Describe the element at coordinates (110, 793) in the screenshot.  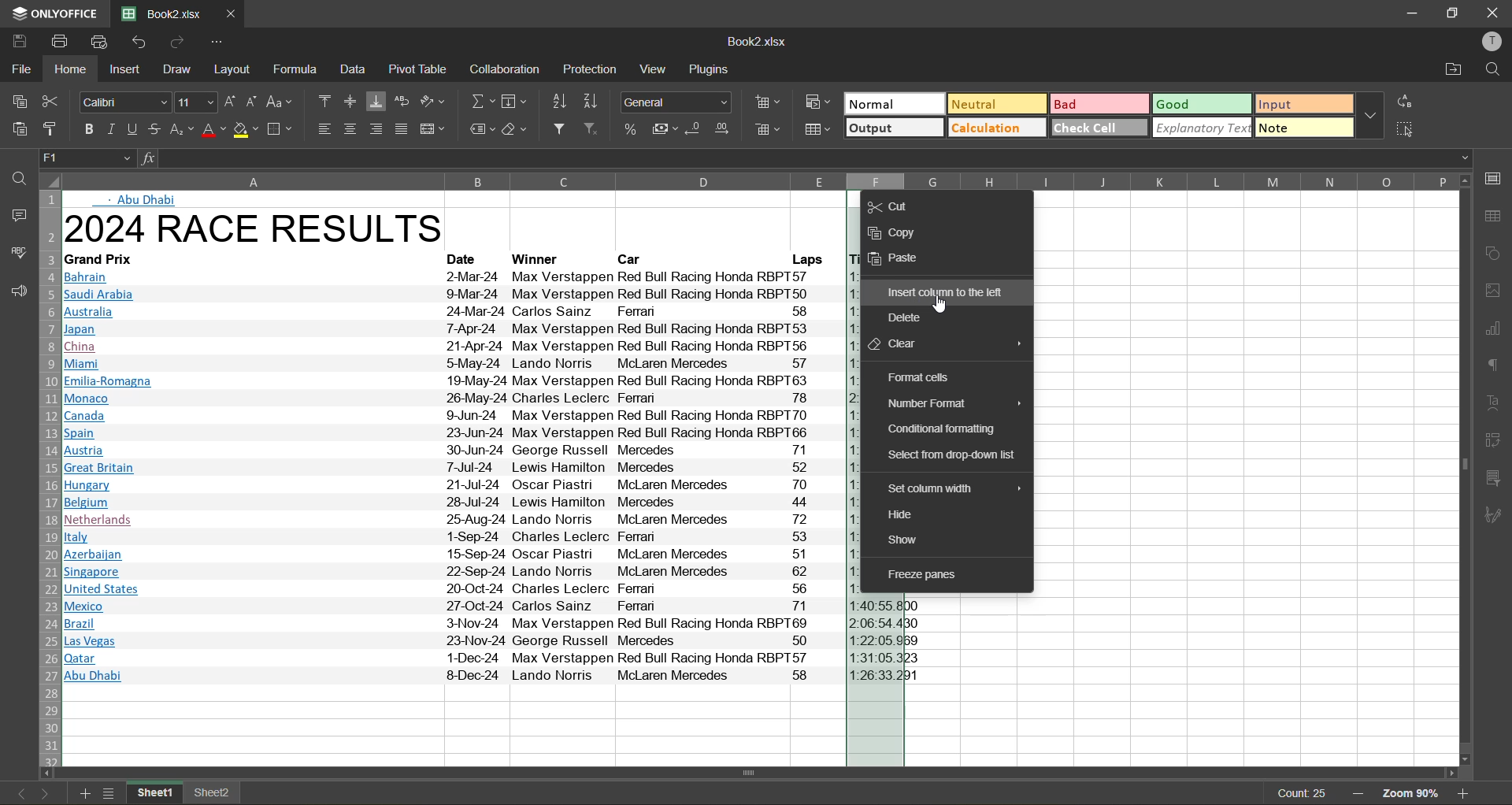
I see `sheet list` at that location.